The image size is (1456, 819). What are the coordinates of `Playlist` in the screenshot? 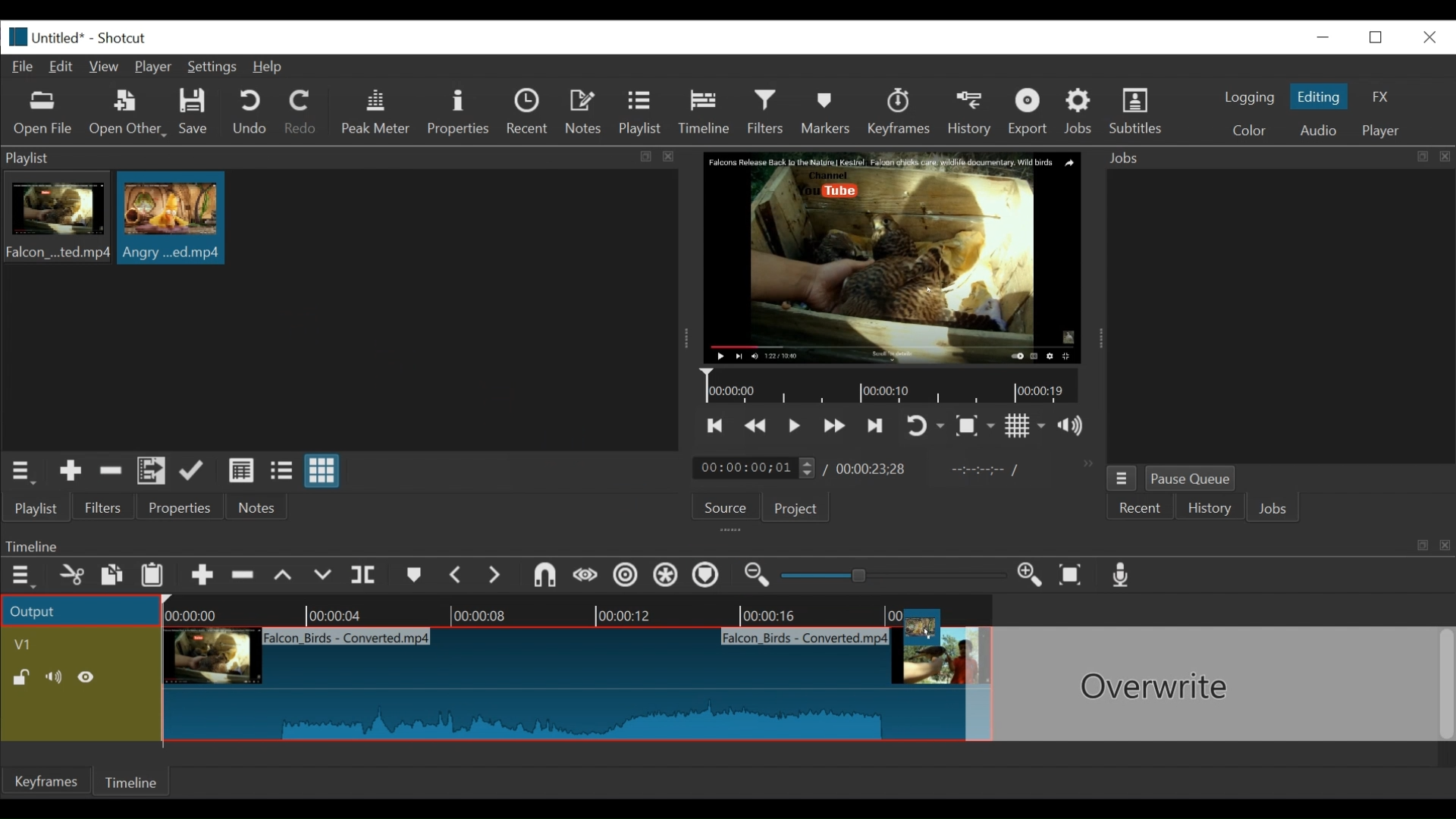 It's located at (641, 114).